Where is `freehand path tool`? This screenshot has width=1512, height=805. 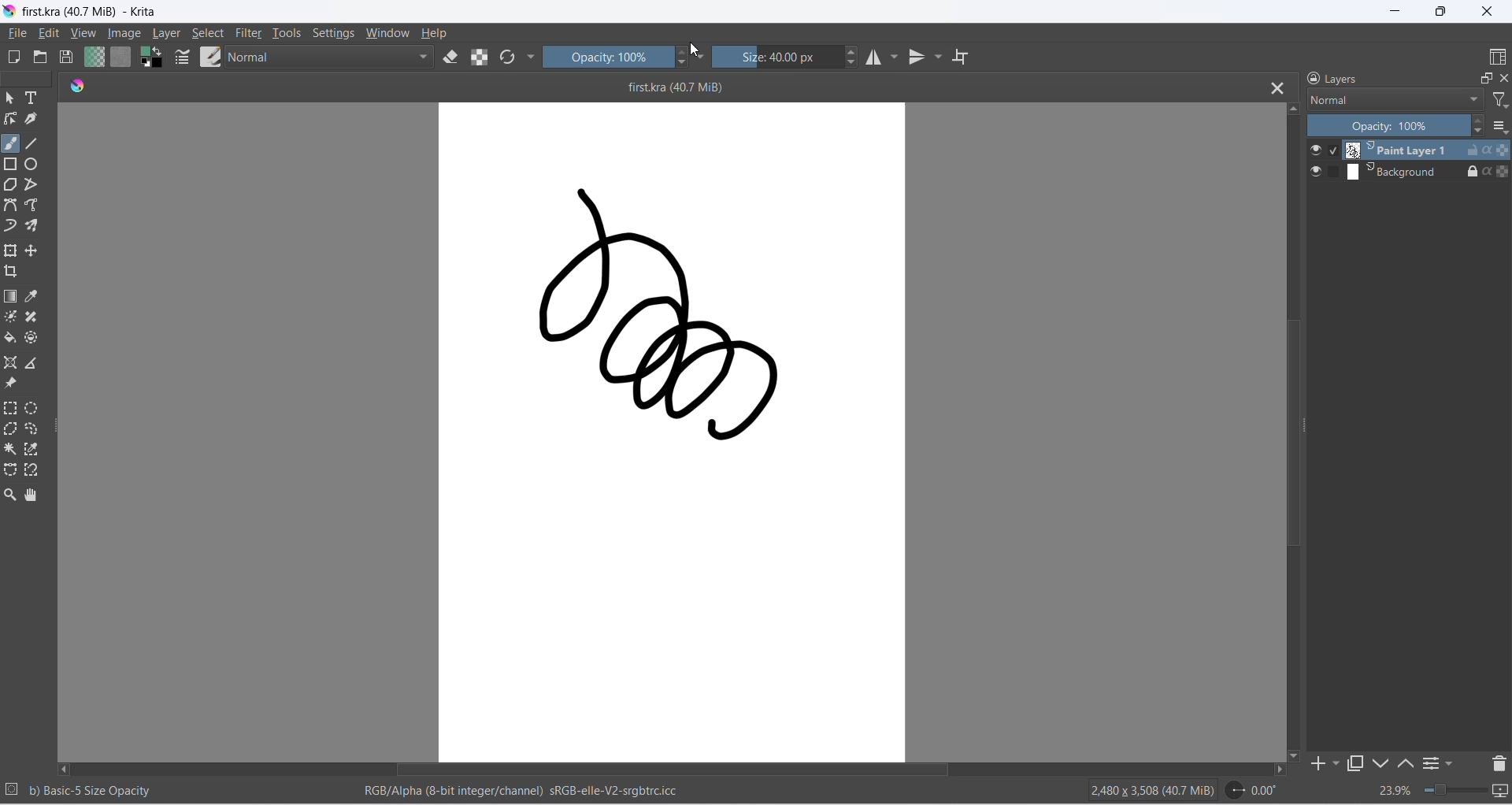
freehand path tool is located at coordinates (32, 205).